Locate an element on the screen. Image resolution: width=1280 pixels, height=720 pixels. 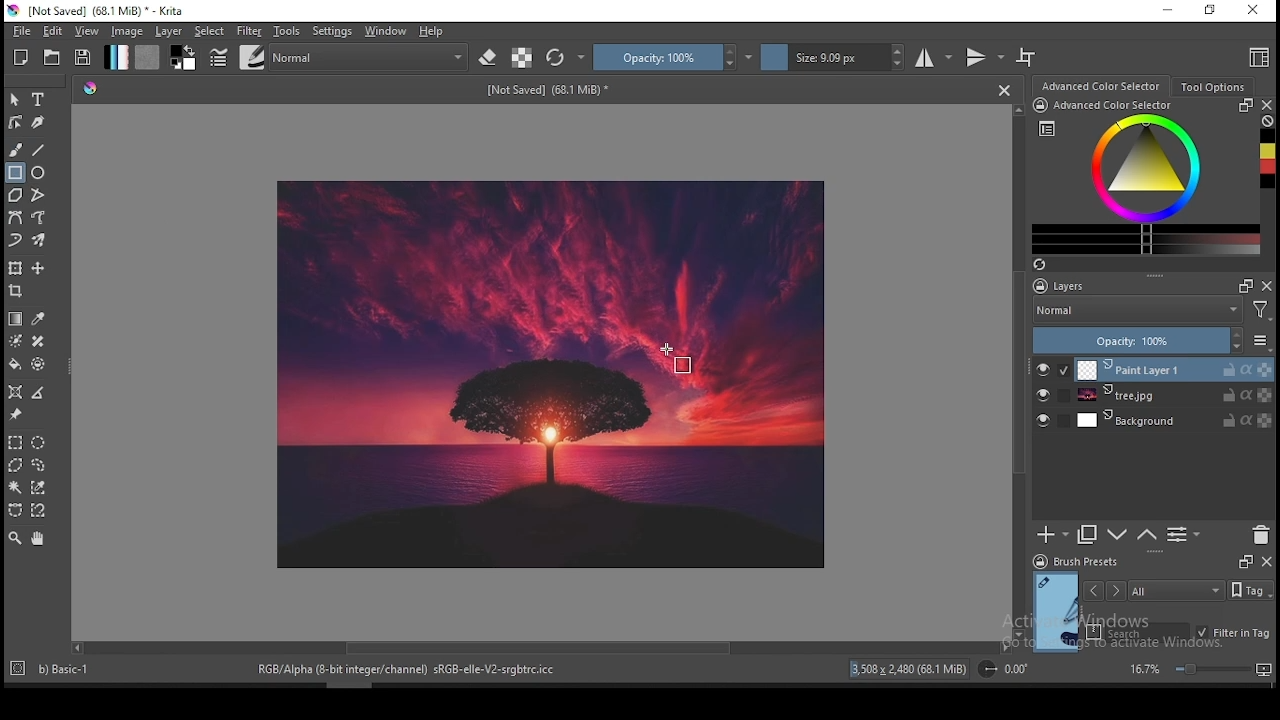
Close is located at coordinates (1004, 90).